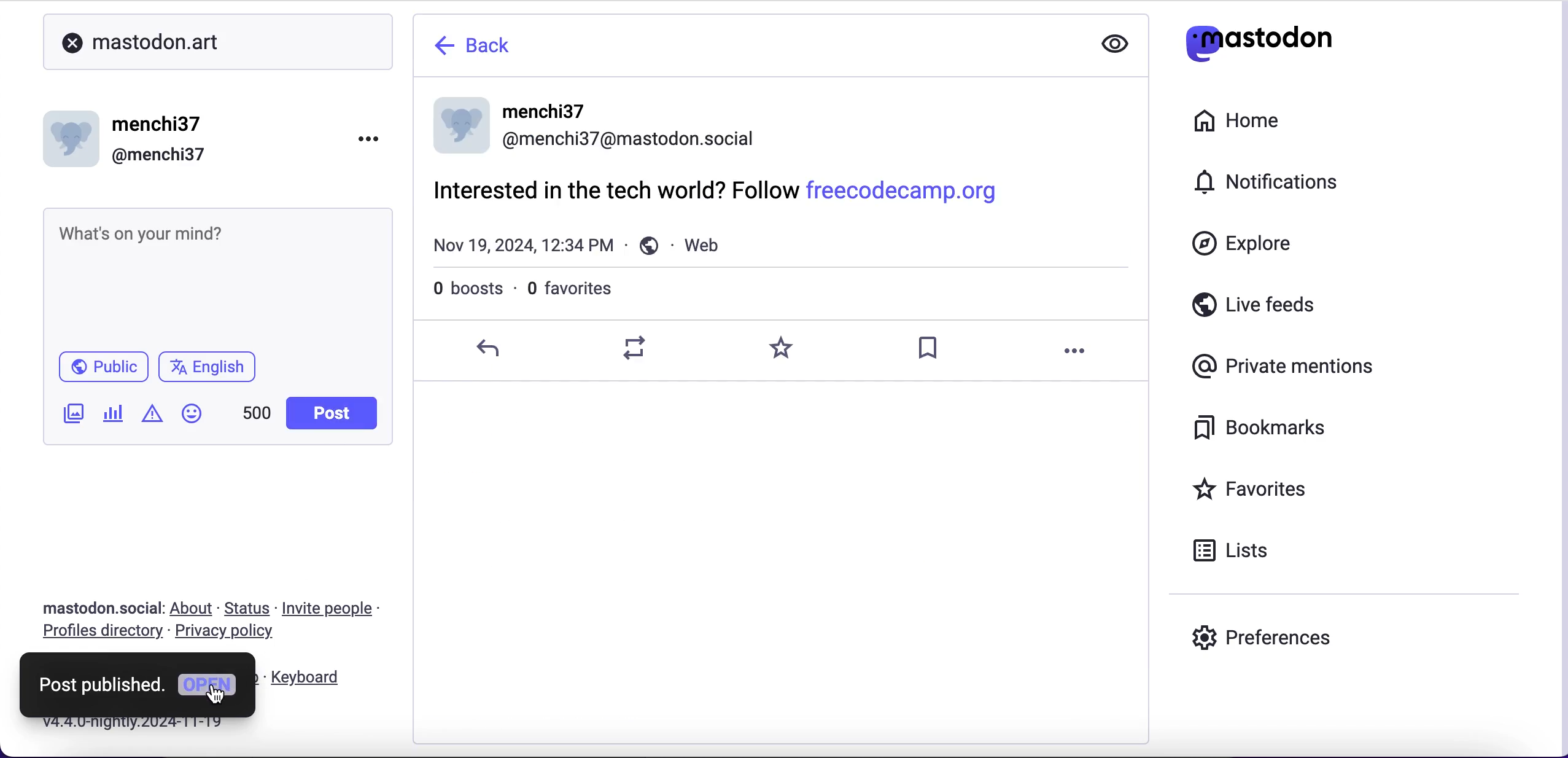  I want to click on favorites, so click(1255, 493).